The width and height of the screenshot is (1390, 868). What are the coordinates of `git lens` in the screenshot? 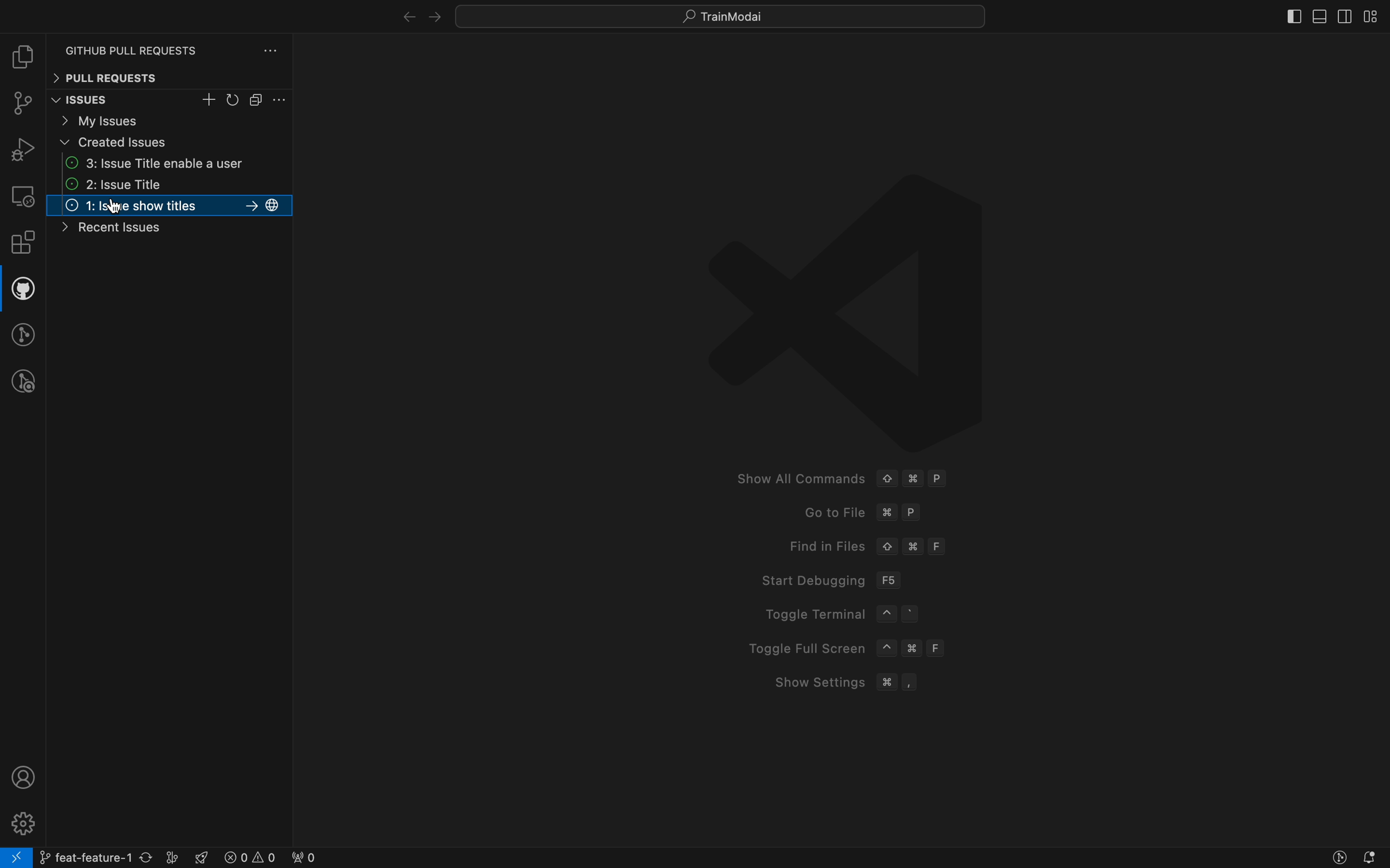 It's located at (1339, 854).